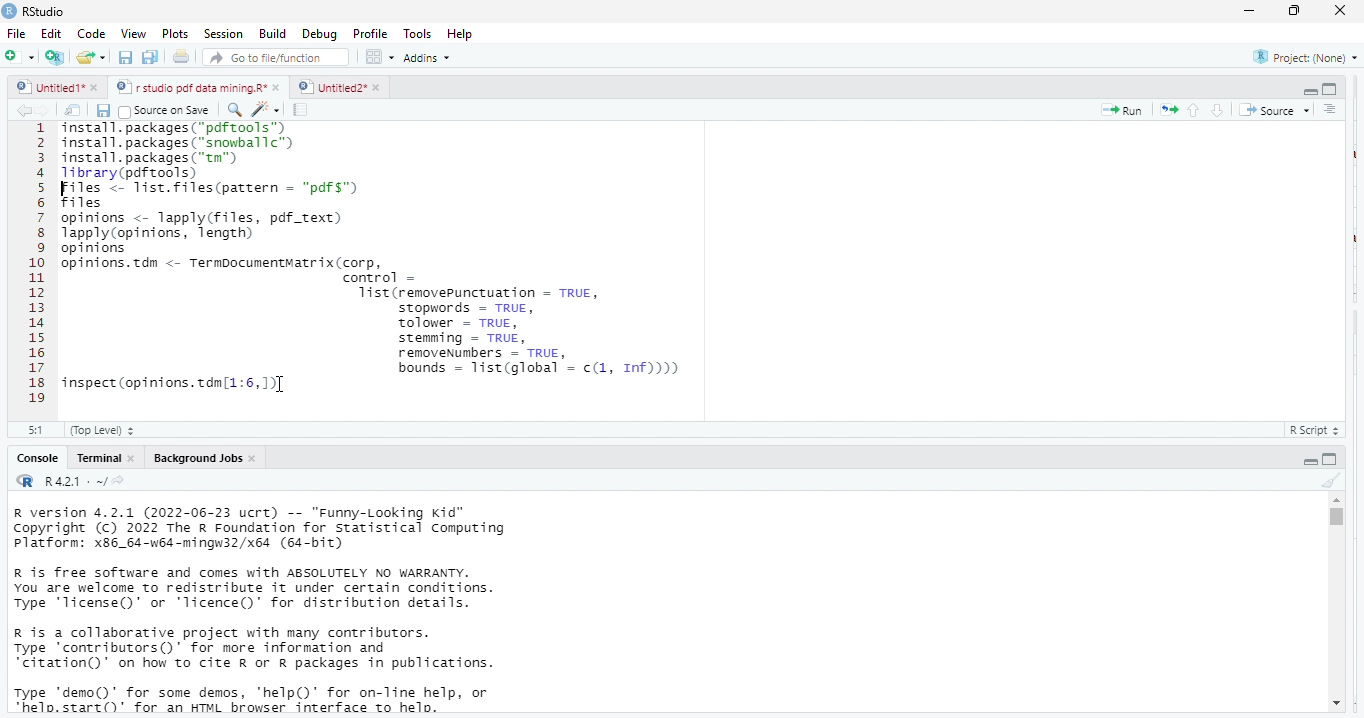  Describe the element at coordinates (222, 34) in the screenshot. I see `session` at that location.